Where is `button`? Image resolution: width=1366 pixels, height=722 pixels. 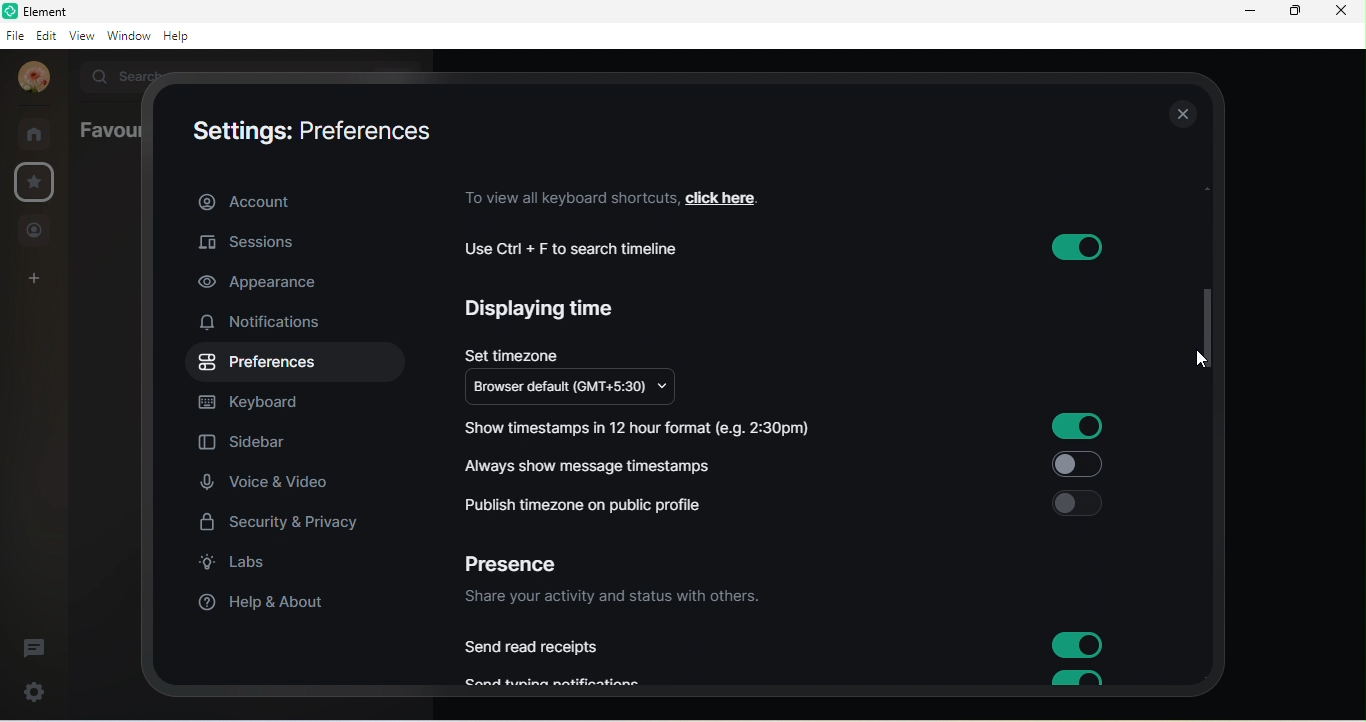 button is located at coordinates (1073, 247).